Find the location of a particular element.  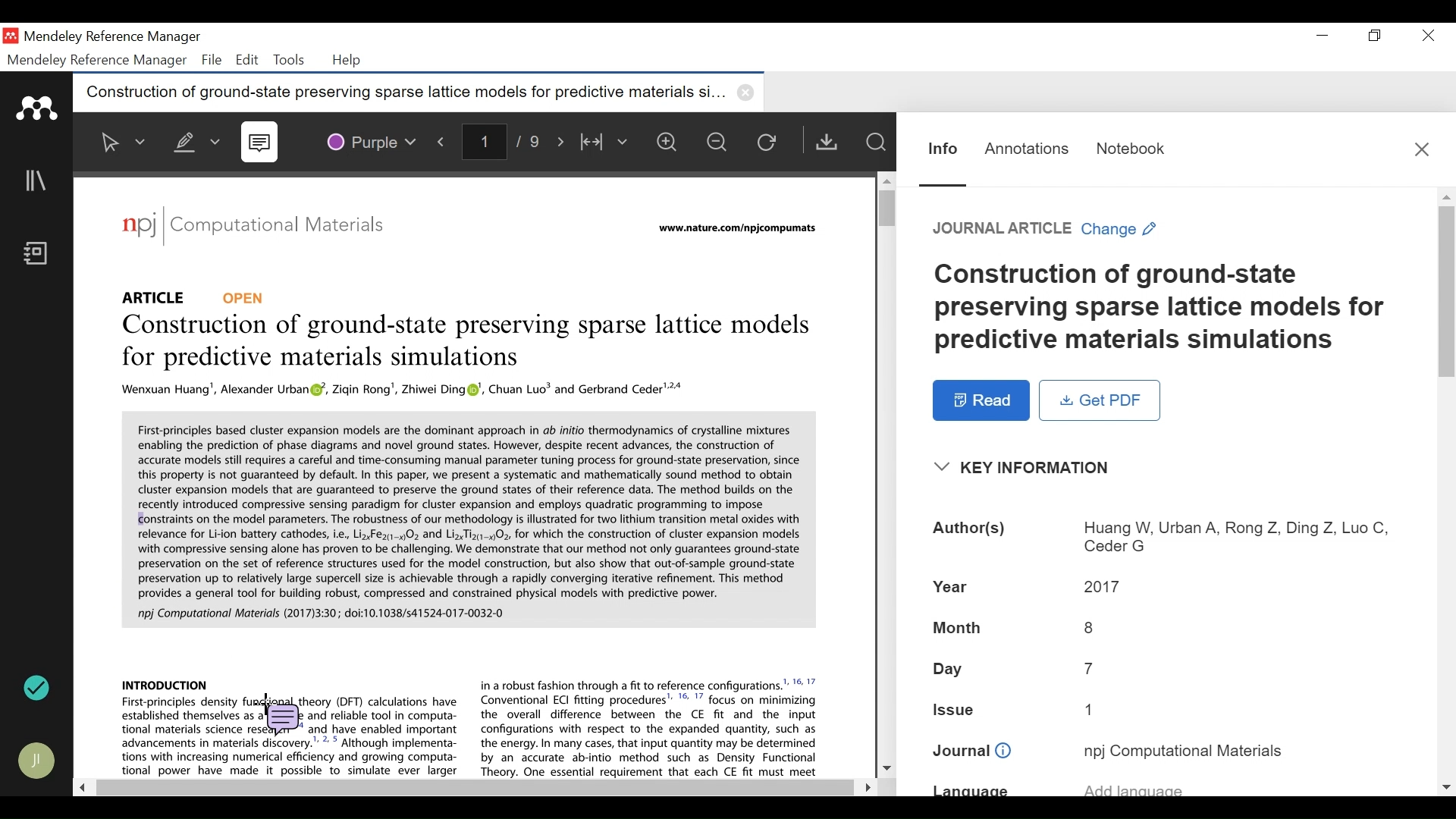

Close is located at coordinates (1423, 148).